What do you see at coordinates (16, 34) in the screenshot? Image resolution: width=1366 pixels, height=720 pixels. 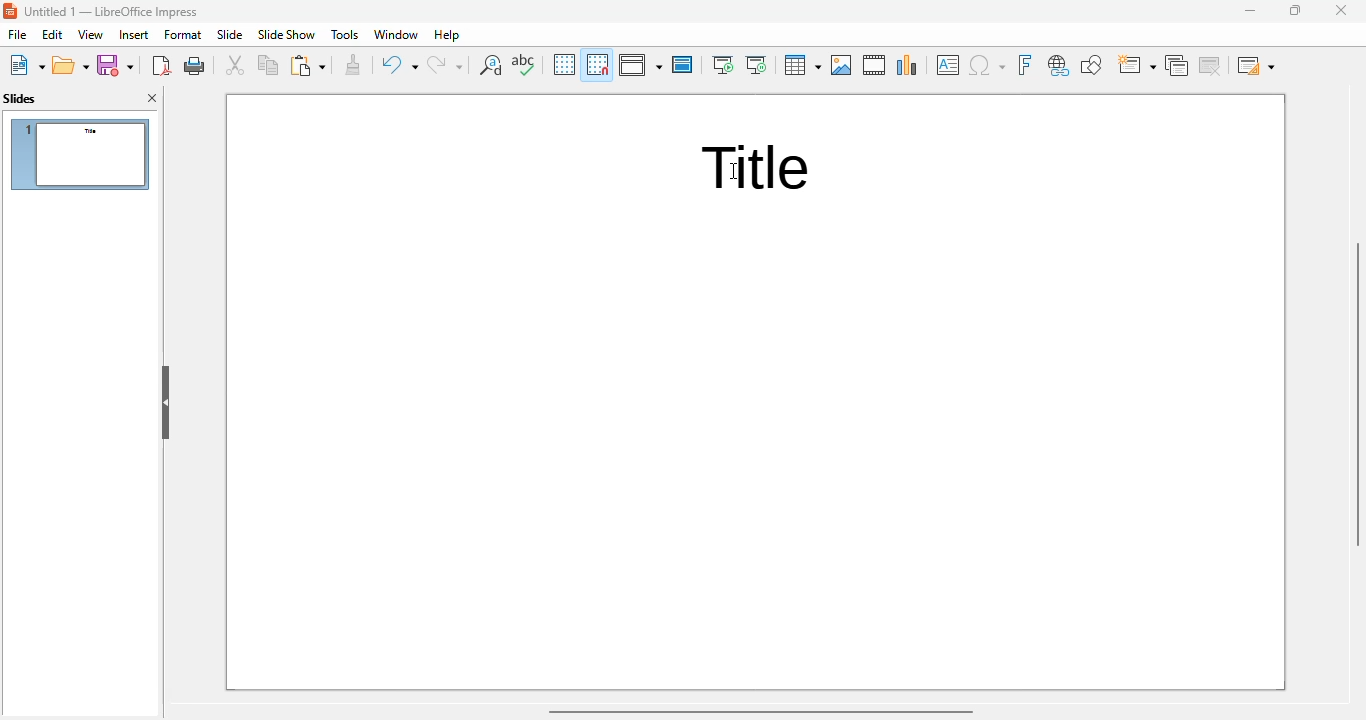 I see `file` at bounding box center [16, 34].